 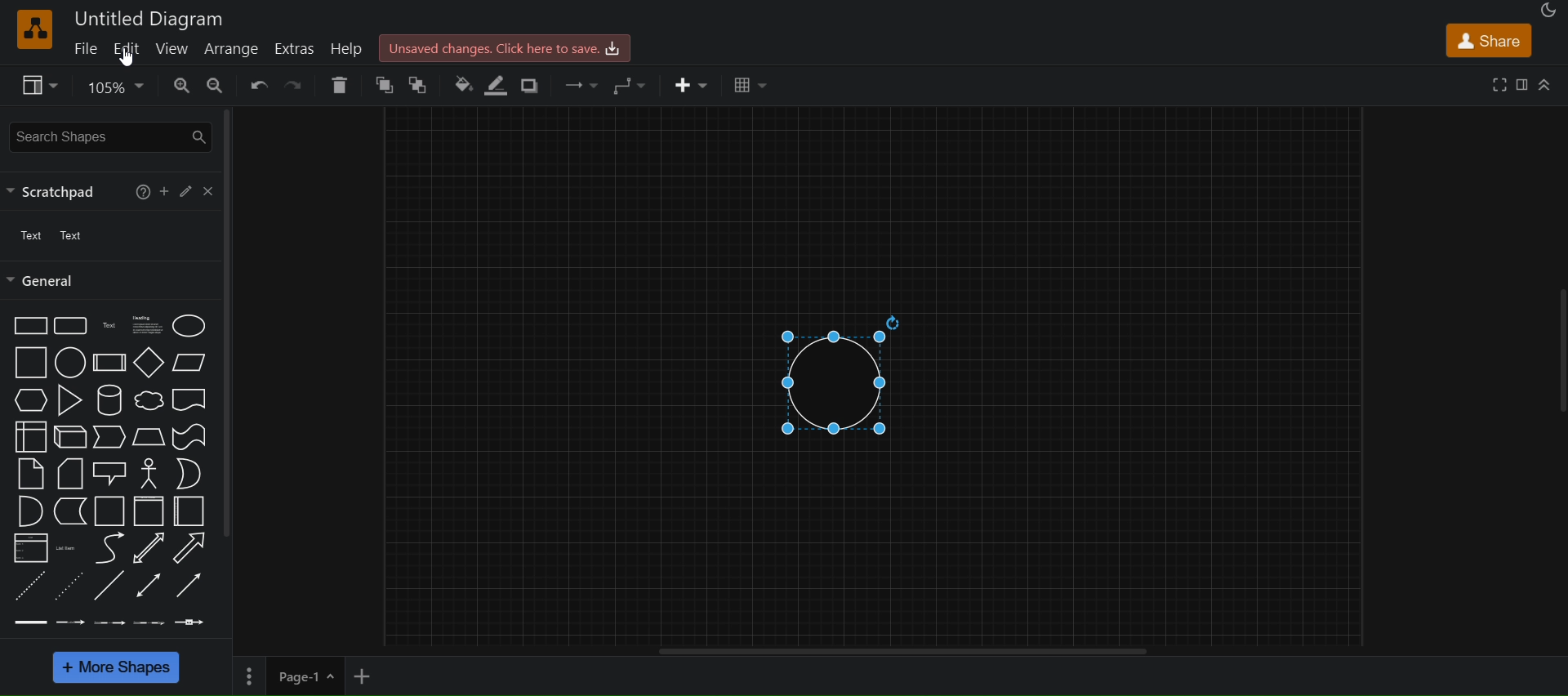 I want to click on share, so click(x=1486, y=39).